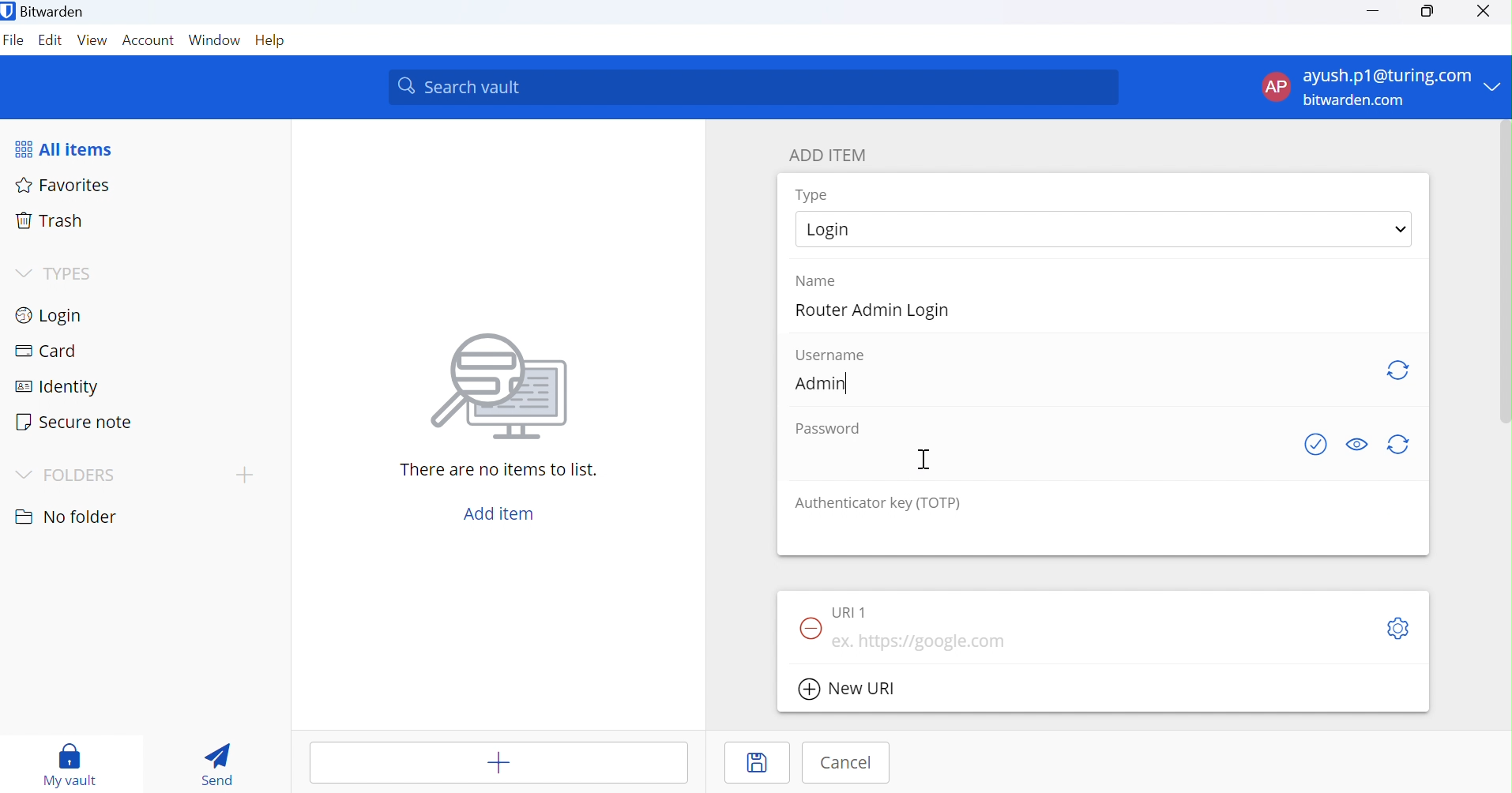  I want to click on Password, so click(826, 427).